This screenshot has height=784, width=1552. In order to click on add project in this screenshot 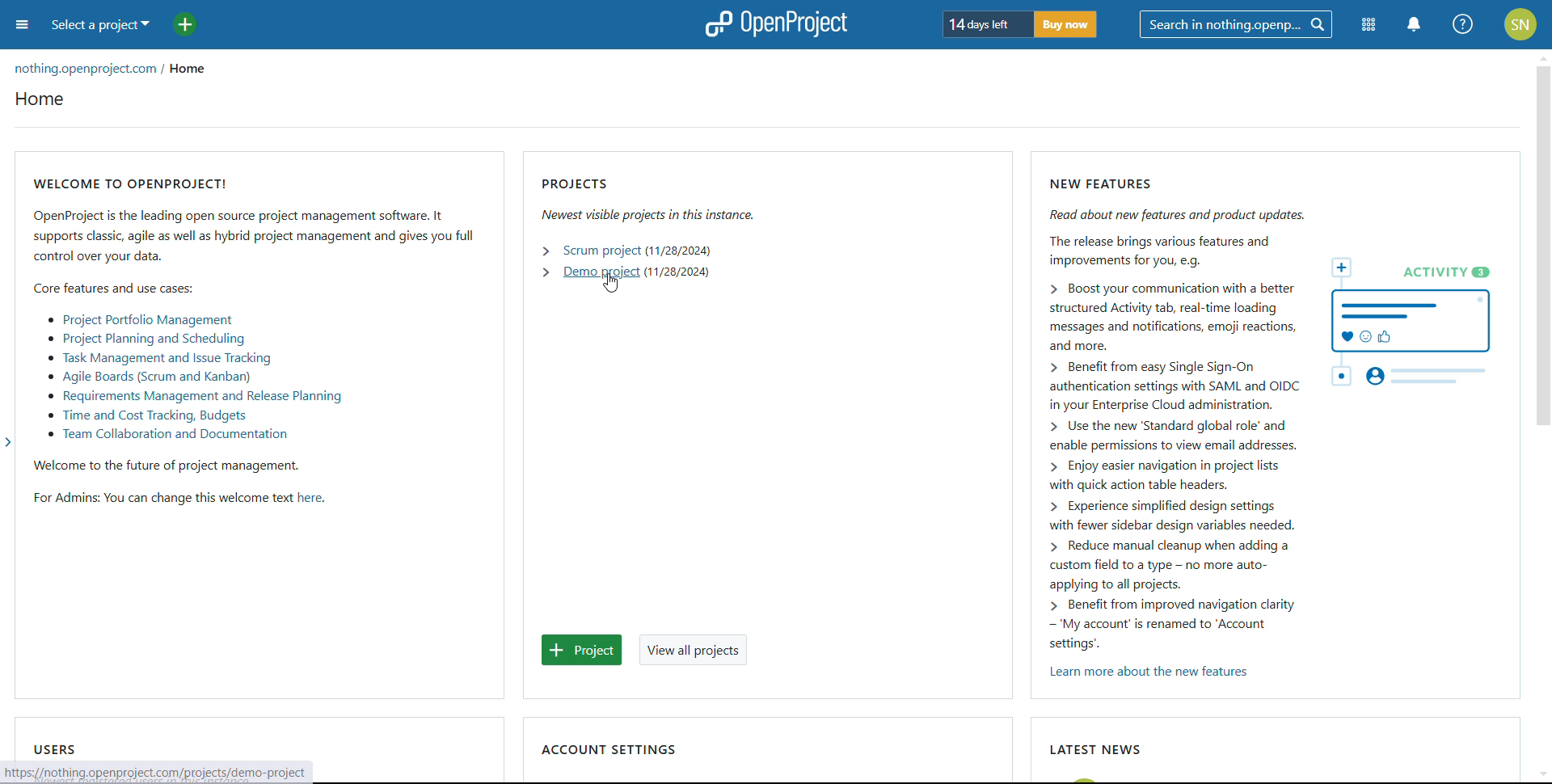, I will do `click(185, 24)`.